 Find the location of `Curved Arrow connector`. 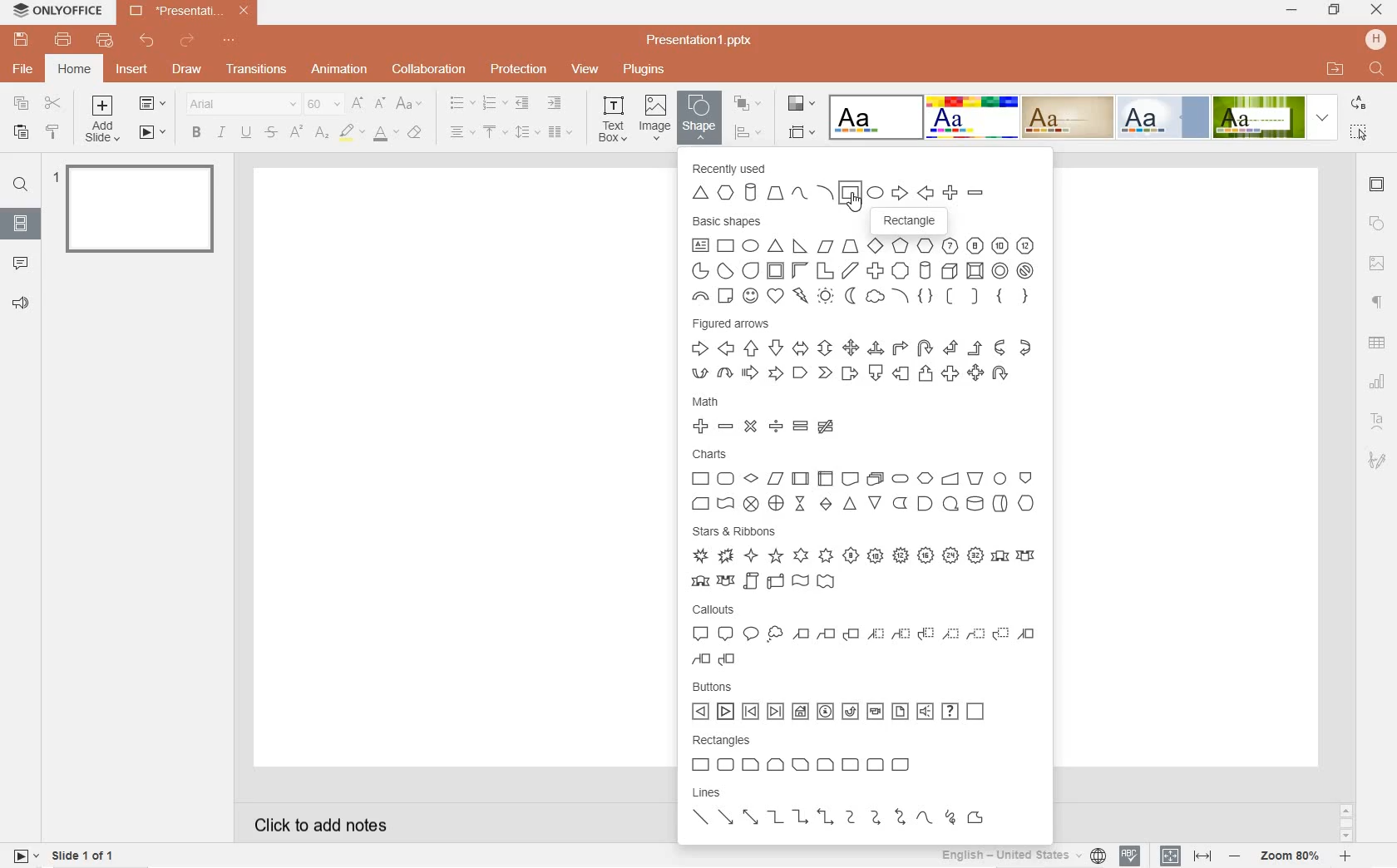

Curved Arrow connector is located at coordinates (876, 819).